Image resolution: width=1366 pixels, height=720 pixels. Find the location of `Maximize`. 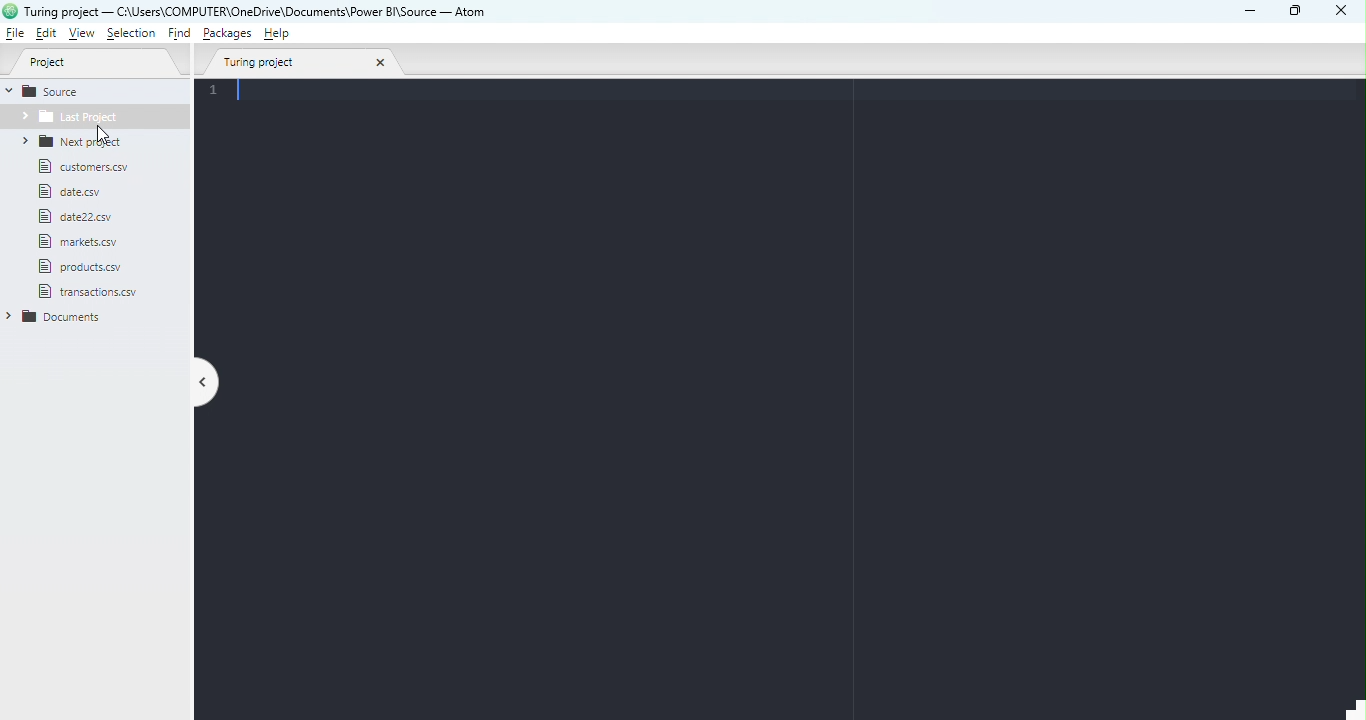

Maximize is located at coordinates (1298, 10).